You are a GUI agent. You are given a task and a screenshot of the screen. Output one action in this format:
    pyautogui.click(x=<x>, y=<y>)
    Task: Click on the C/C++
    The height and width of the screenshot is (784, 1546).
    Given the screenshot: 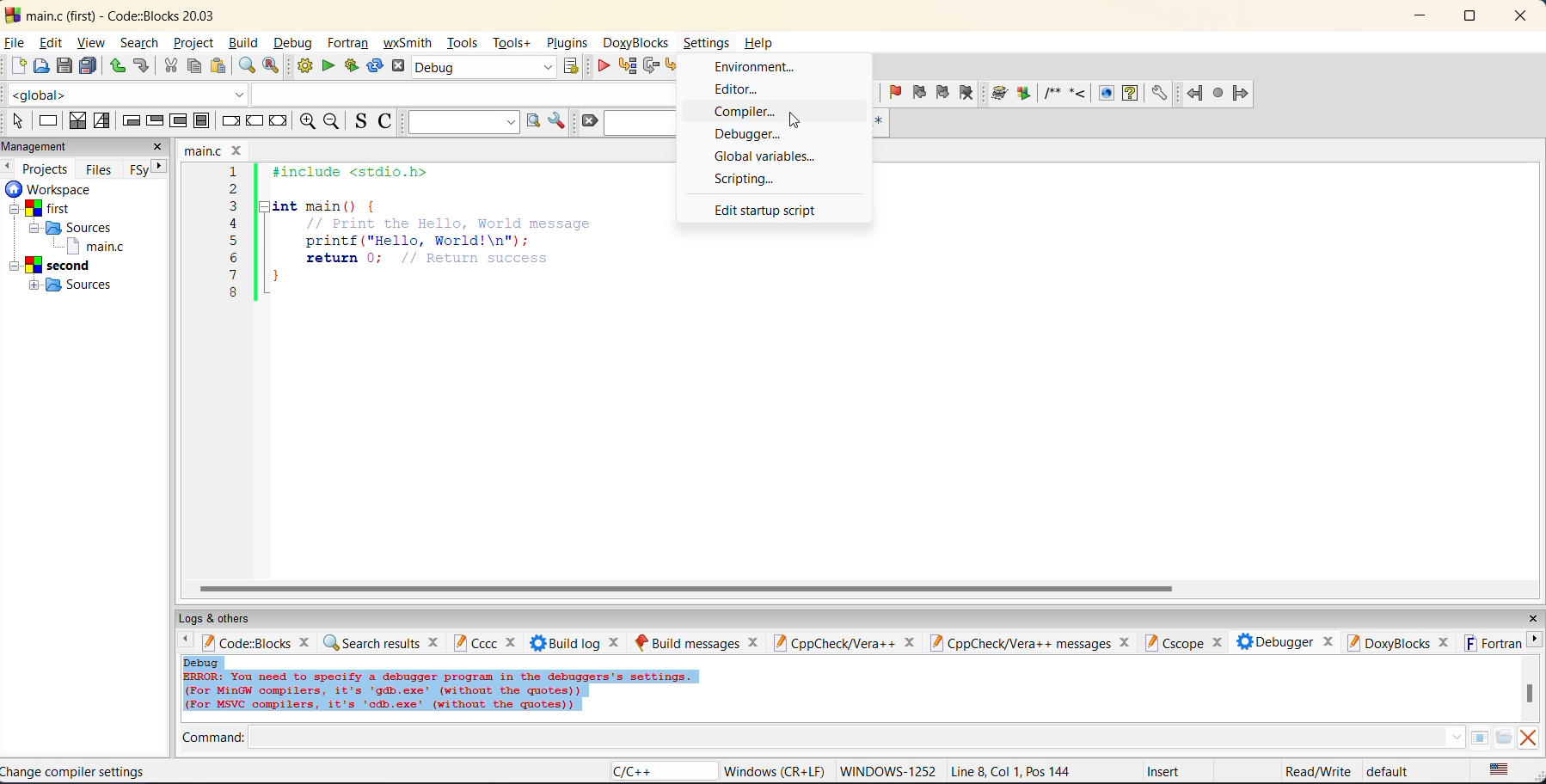 What is the action you would take?
    pyautogui.click(x=641, y=770)
    